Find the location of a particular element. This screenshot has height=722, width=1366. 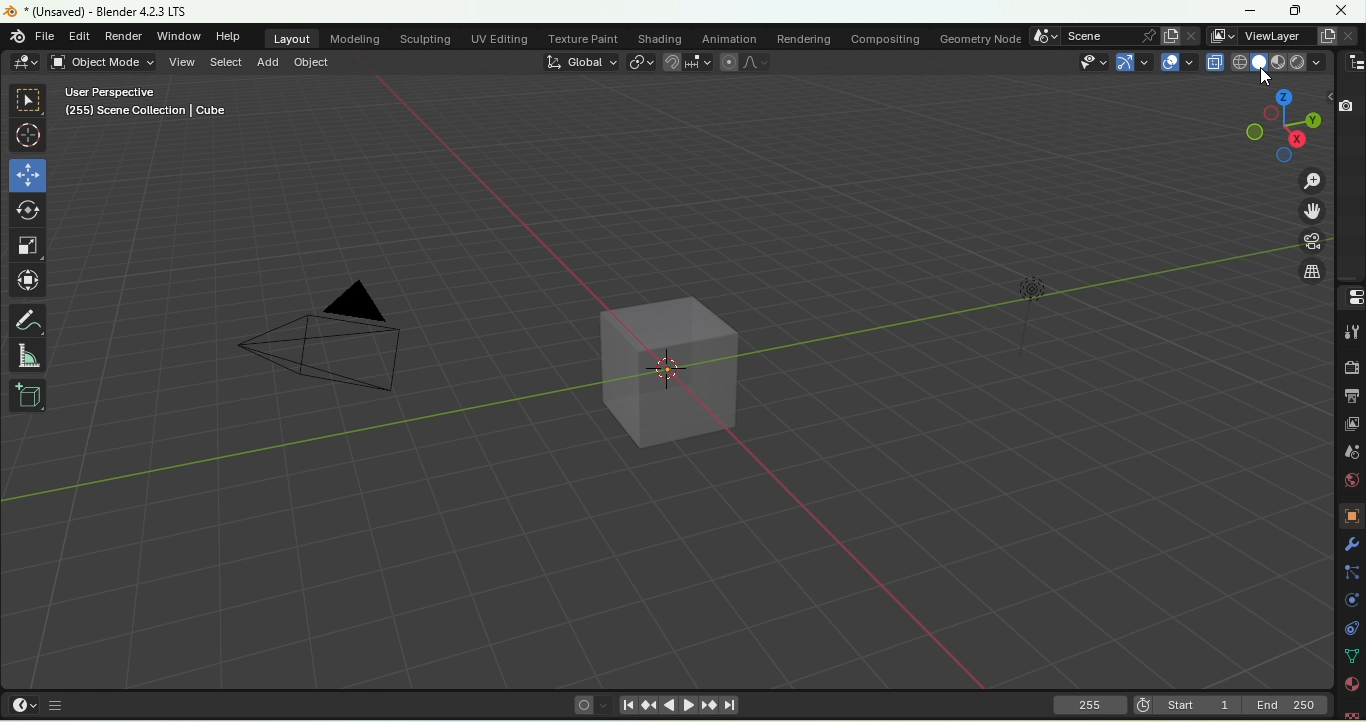

Compositing is located at coordinates (885, 38).